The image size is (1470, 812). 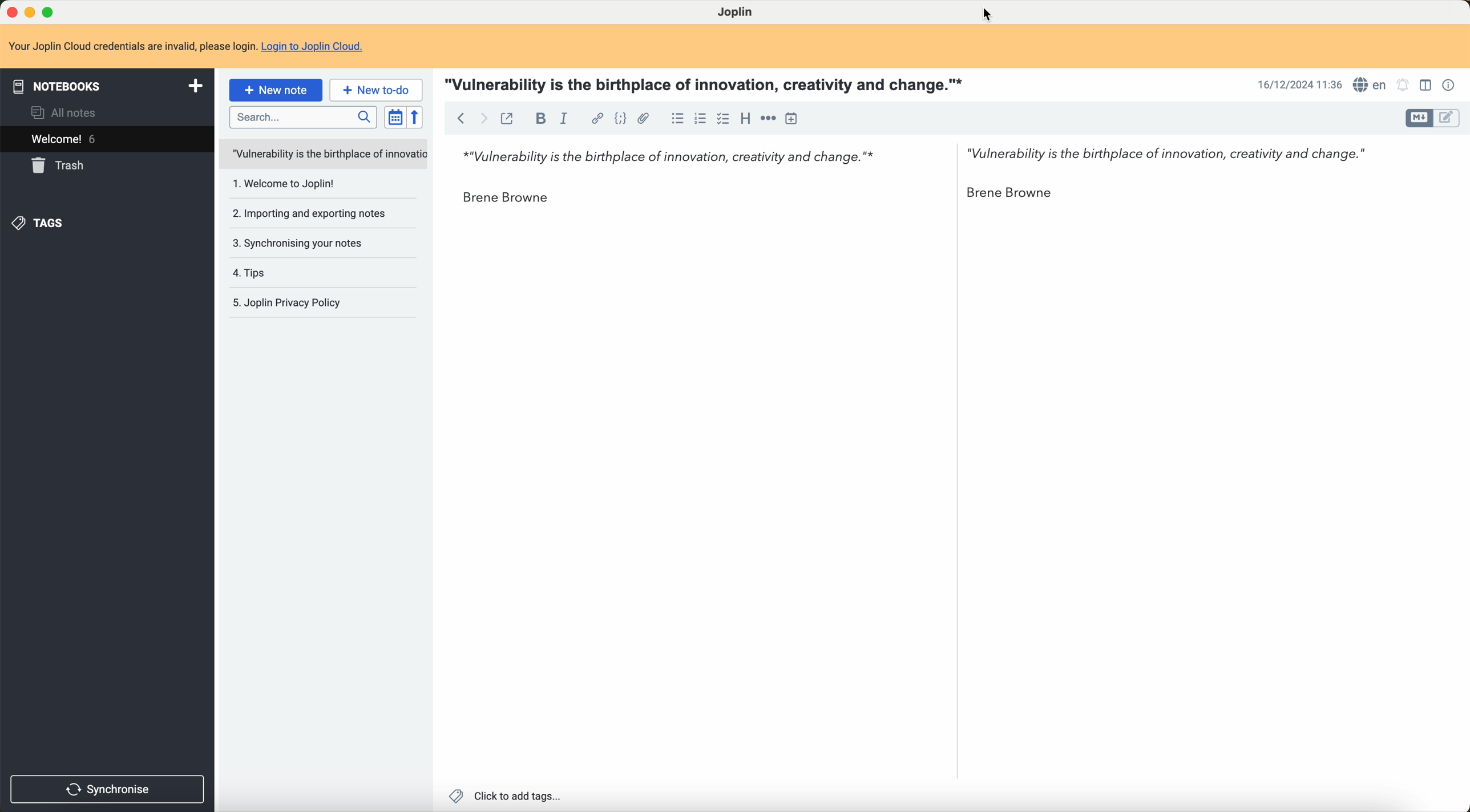 I want to click on set alarm, so click(x=1405, y=86).